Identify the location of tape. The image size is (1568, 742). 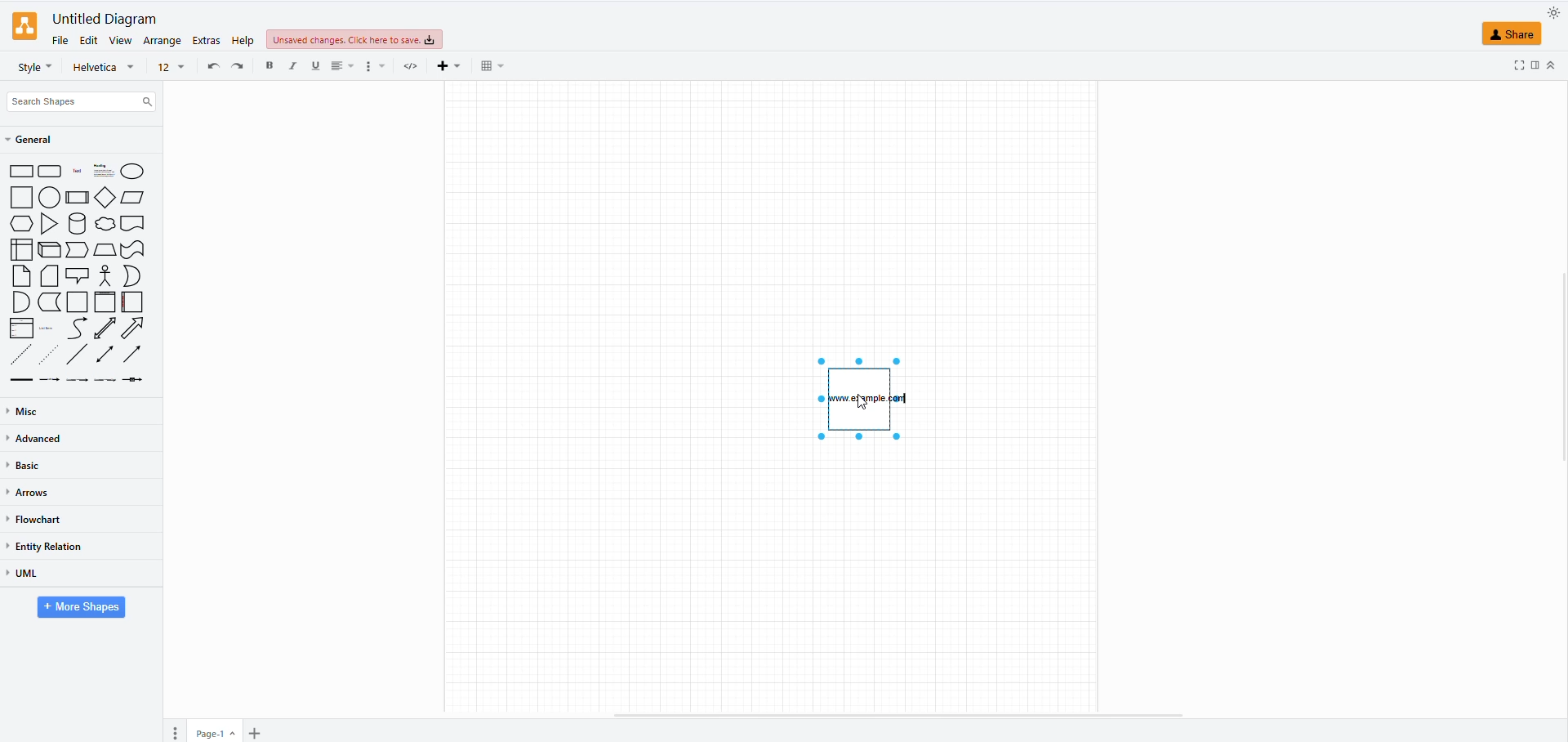
(134, 250).